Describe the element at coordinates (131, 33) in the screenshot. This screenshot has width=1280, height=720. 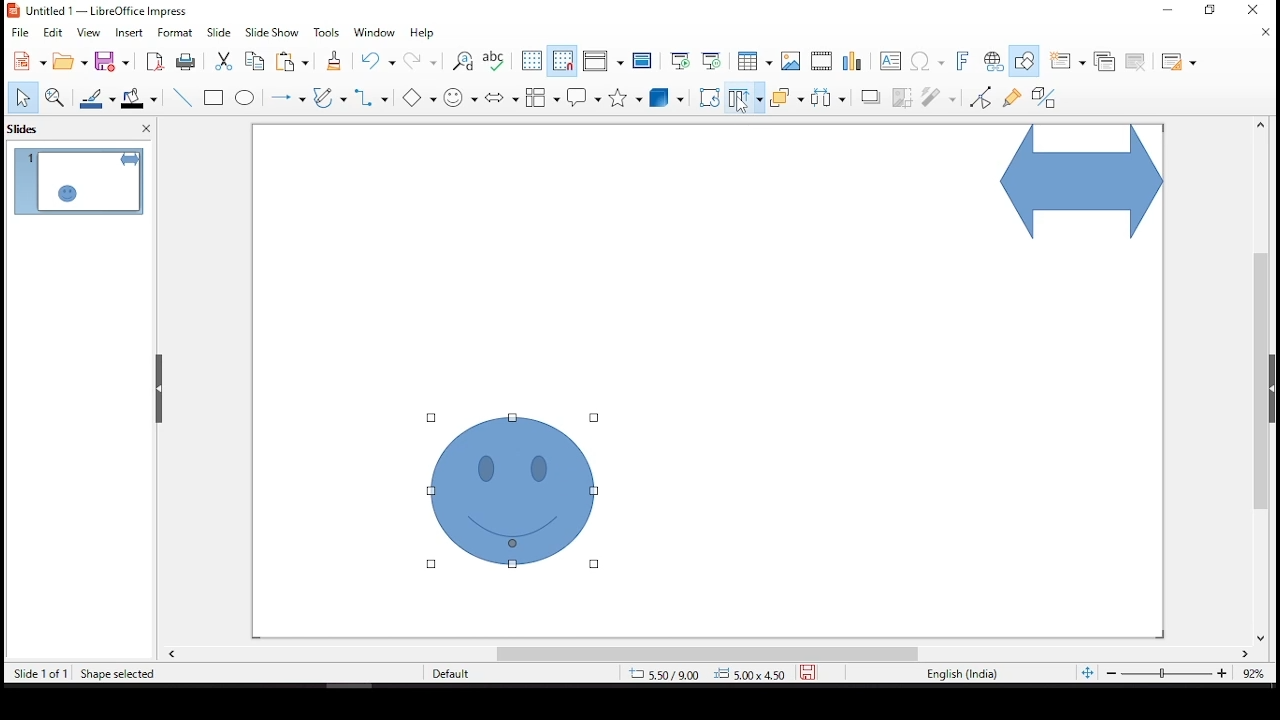
I see `insert` at that location.